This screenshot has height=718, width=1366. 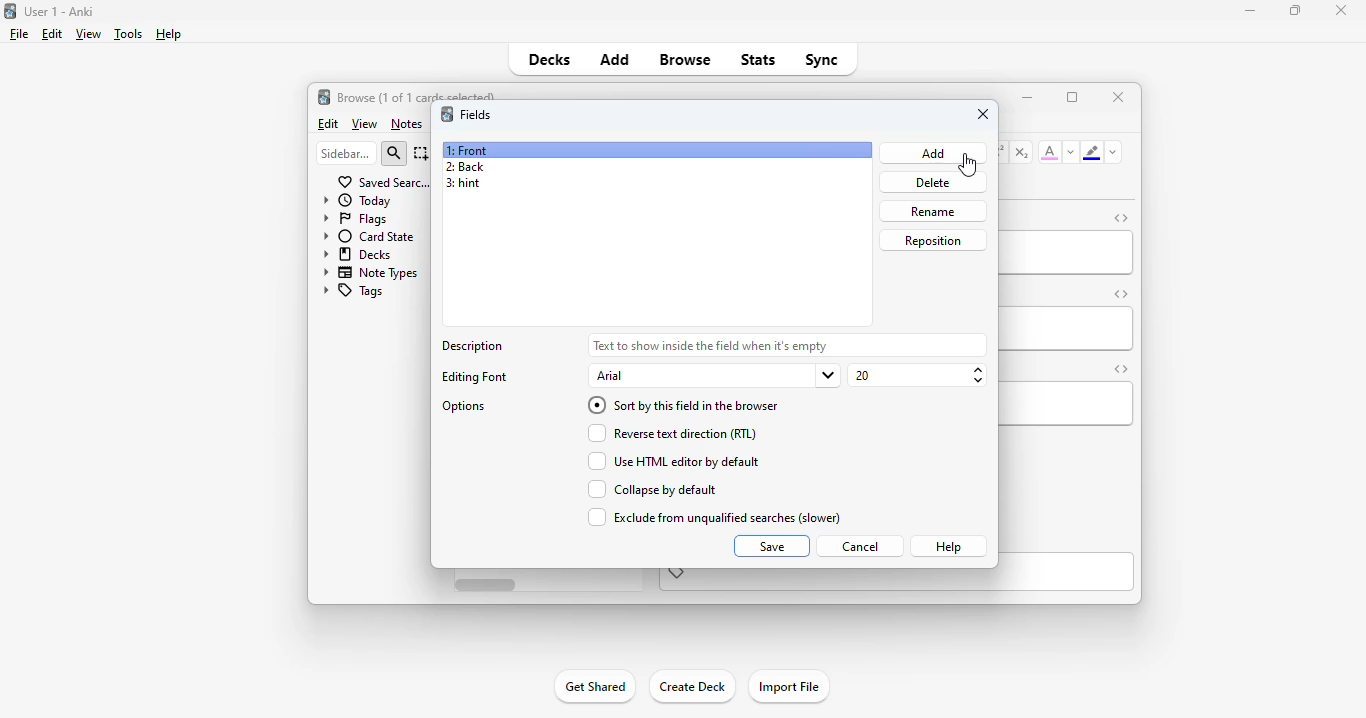 What do you see at coordinates (788, 687) in the screenshot?
I see `import file` at bounding box center [788, 687].